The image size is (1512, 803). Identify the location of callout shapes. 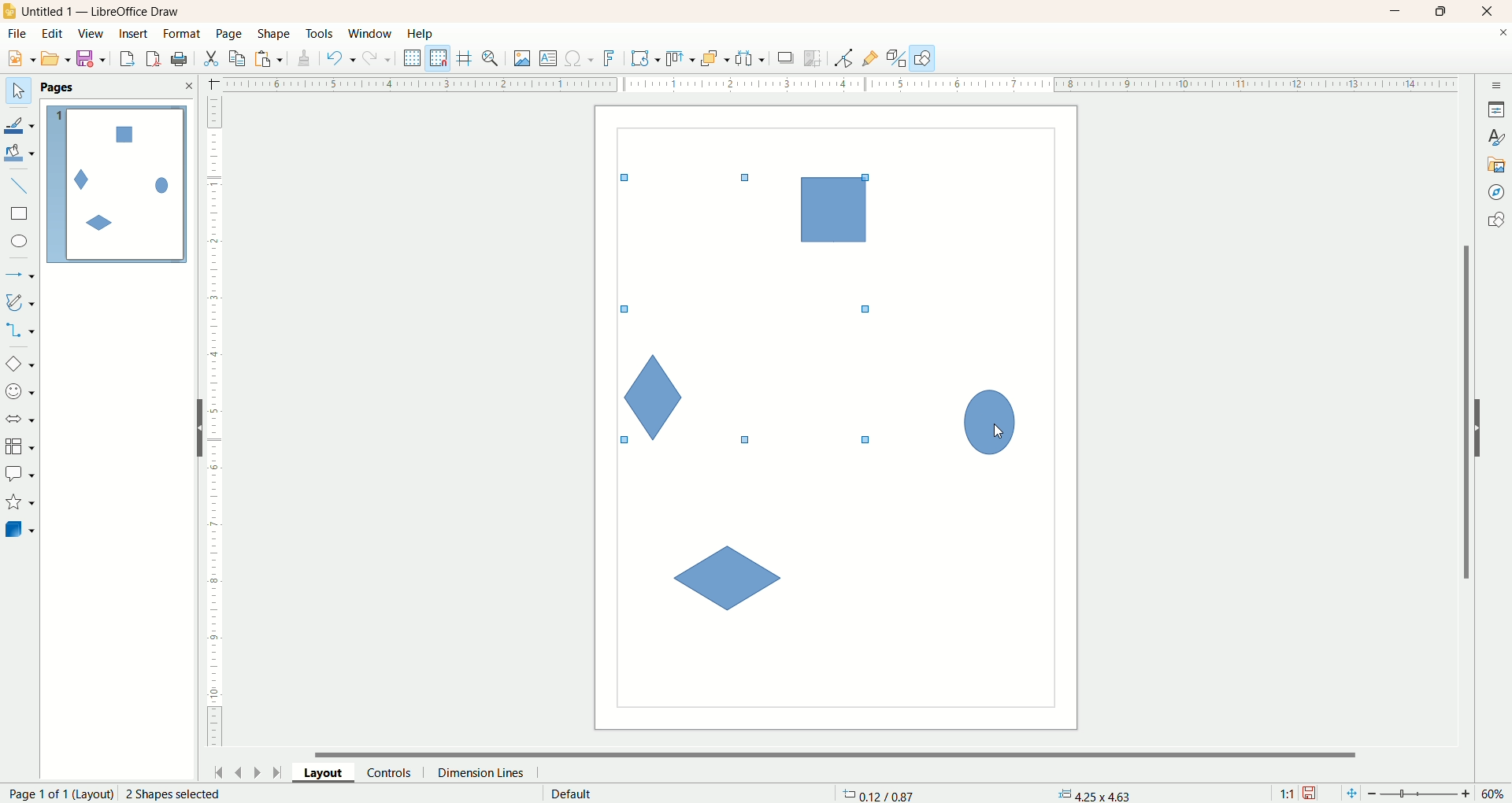
(20, 475).